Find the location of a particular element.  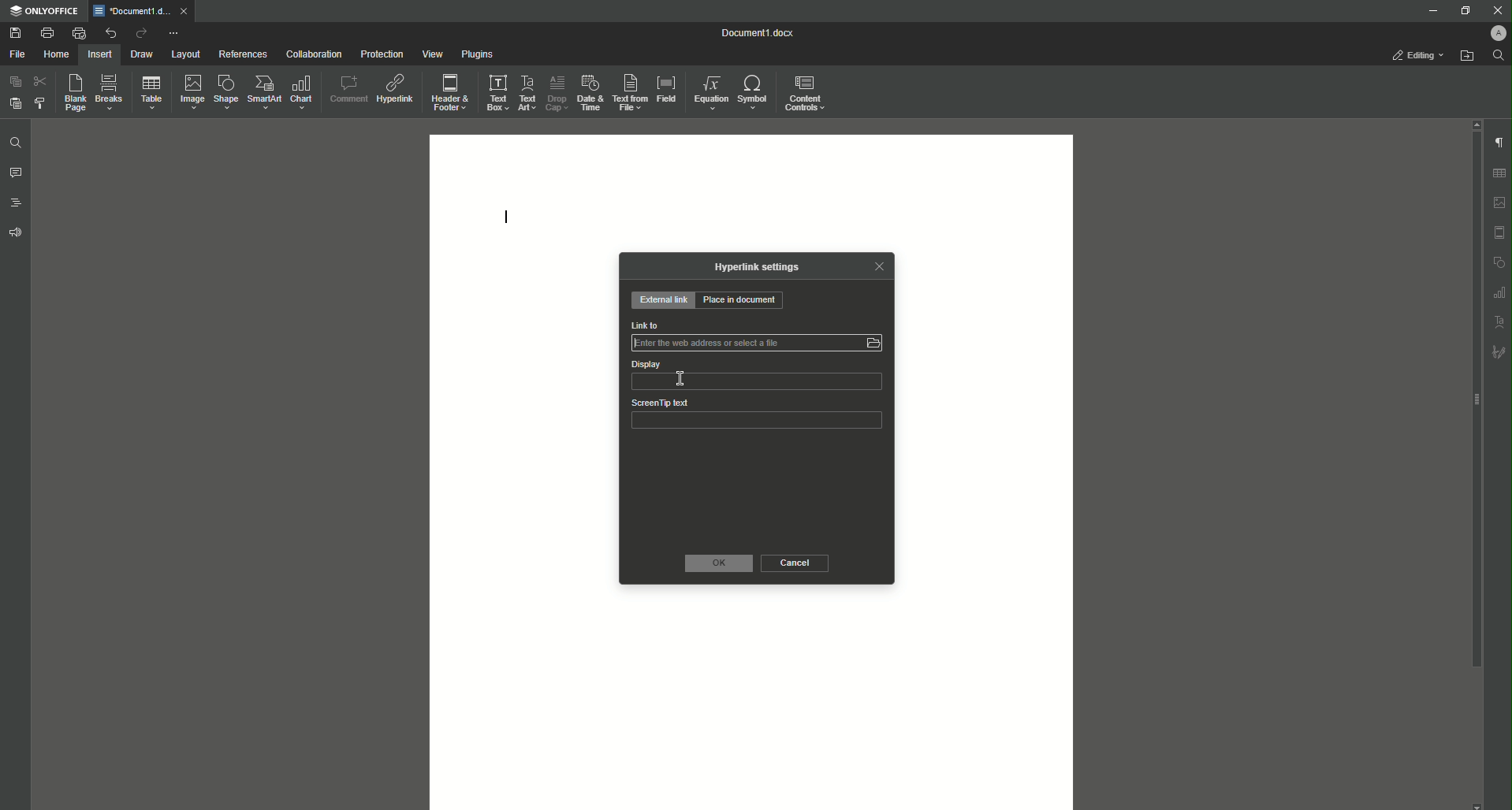

Symbol is located at coordinates (754, 91).